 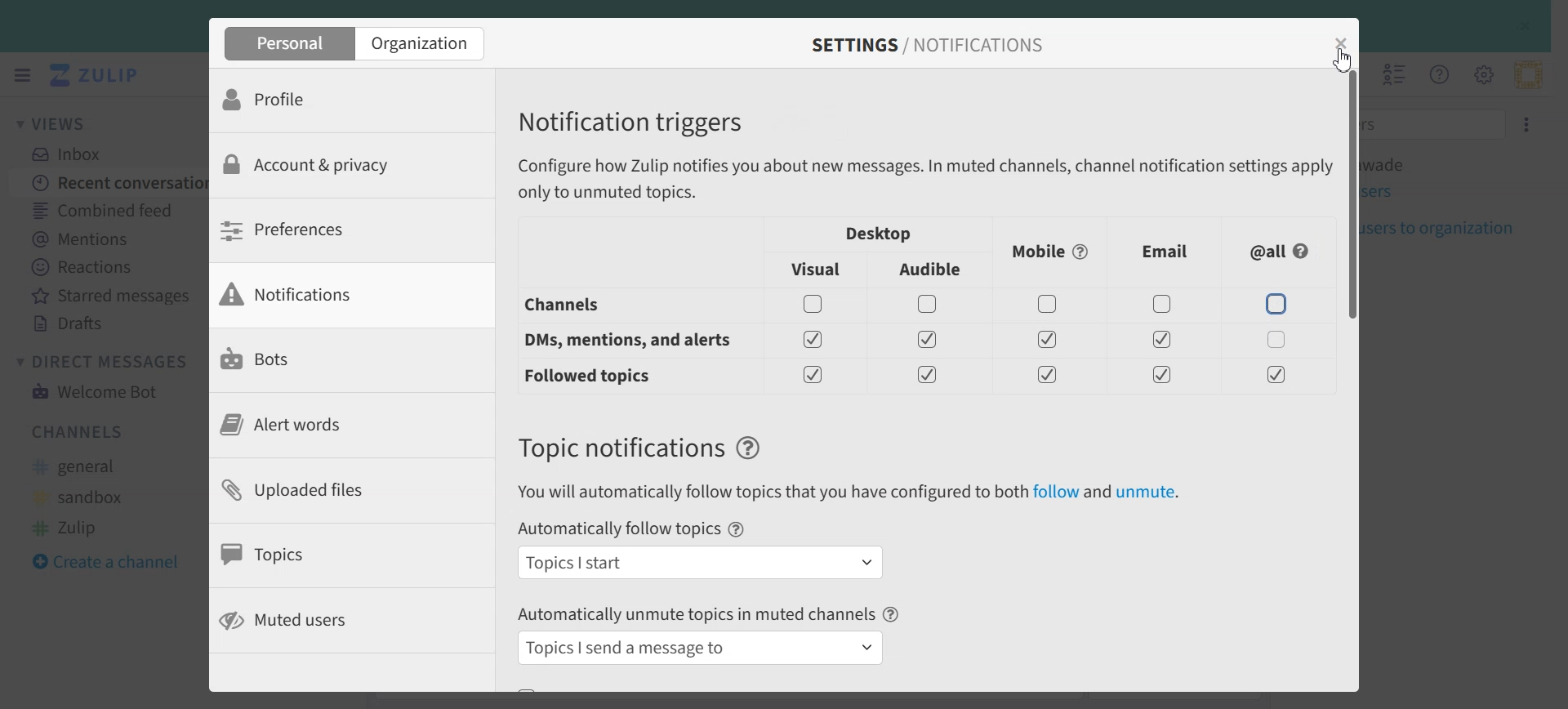 I want to click on Drafts, so click(x=109, y=323).